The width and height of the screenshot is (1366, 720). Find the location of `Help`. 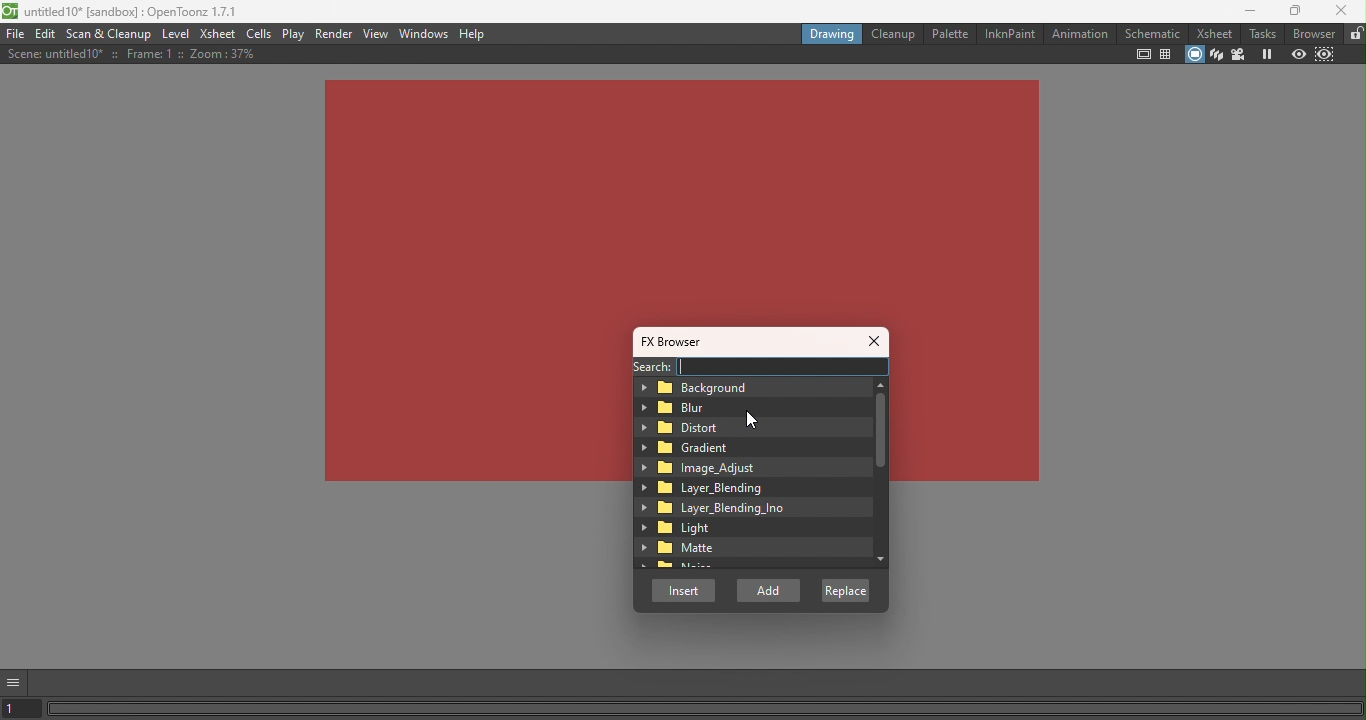

Help is located at coordinates (472, 34).